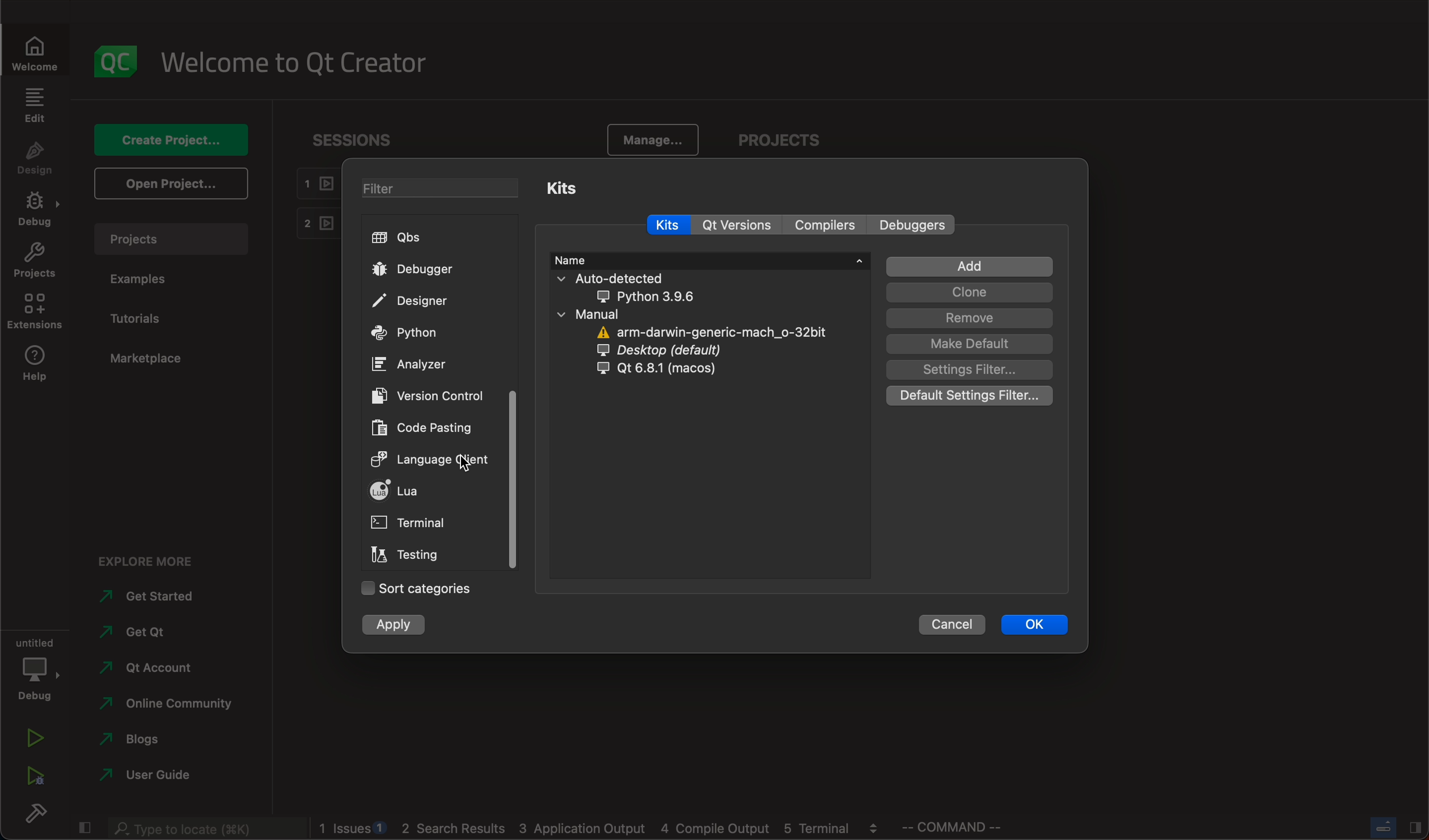 The height and width of the screenshot is (840, 1429). I want to click on edit, so click(36, 104).